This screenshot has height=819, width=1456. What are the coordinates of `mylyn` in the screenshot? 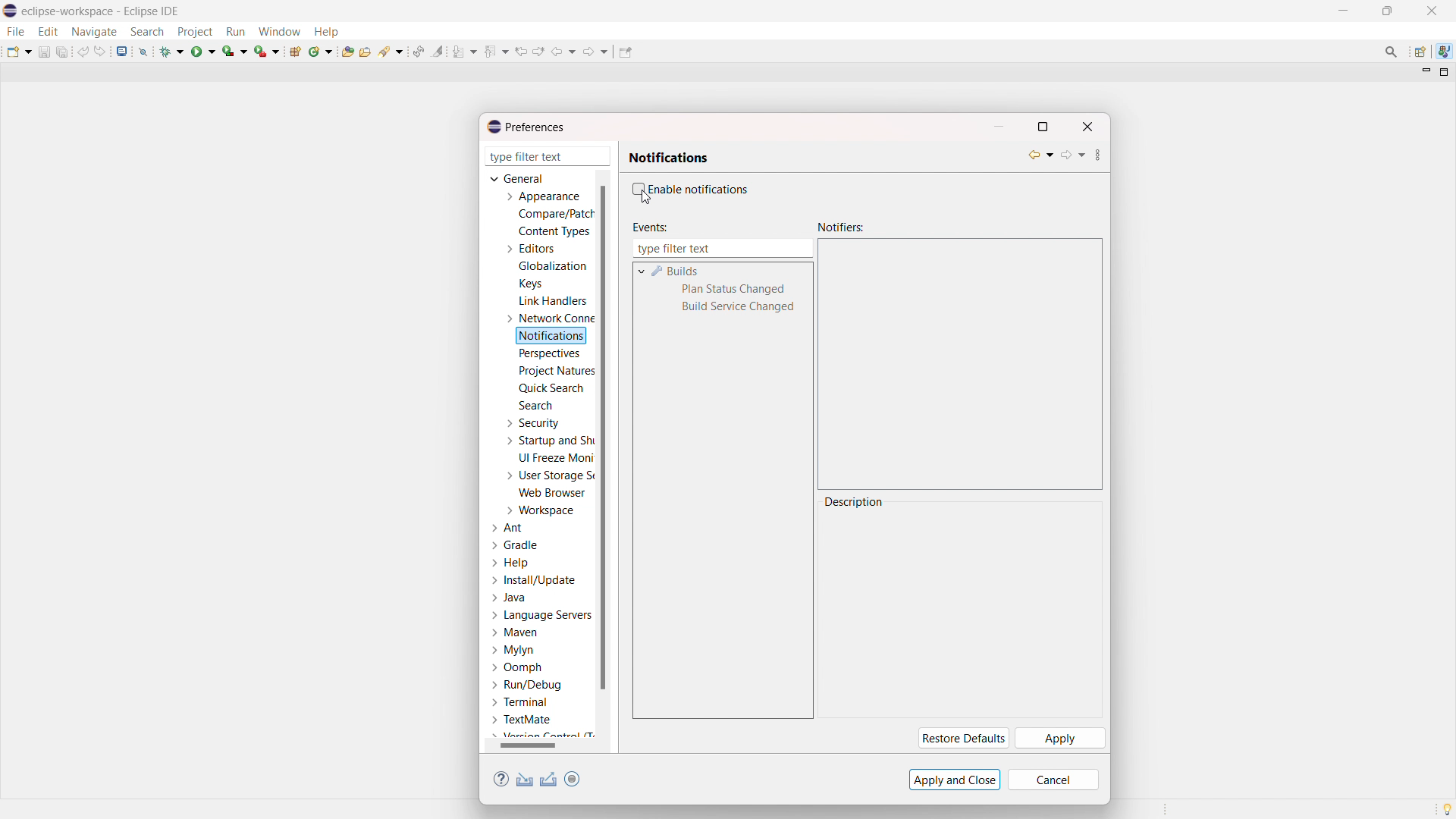 It's located at (513, 651).